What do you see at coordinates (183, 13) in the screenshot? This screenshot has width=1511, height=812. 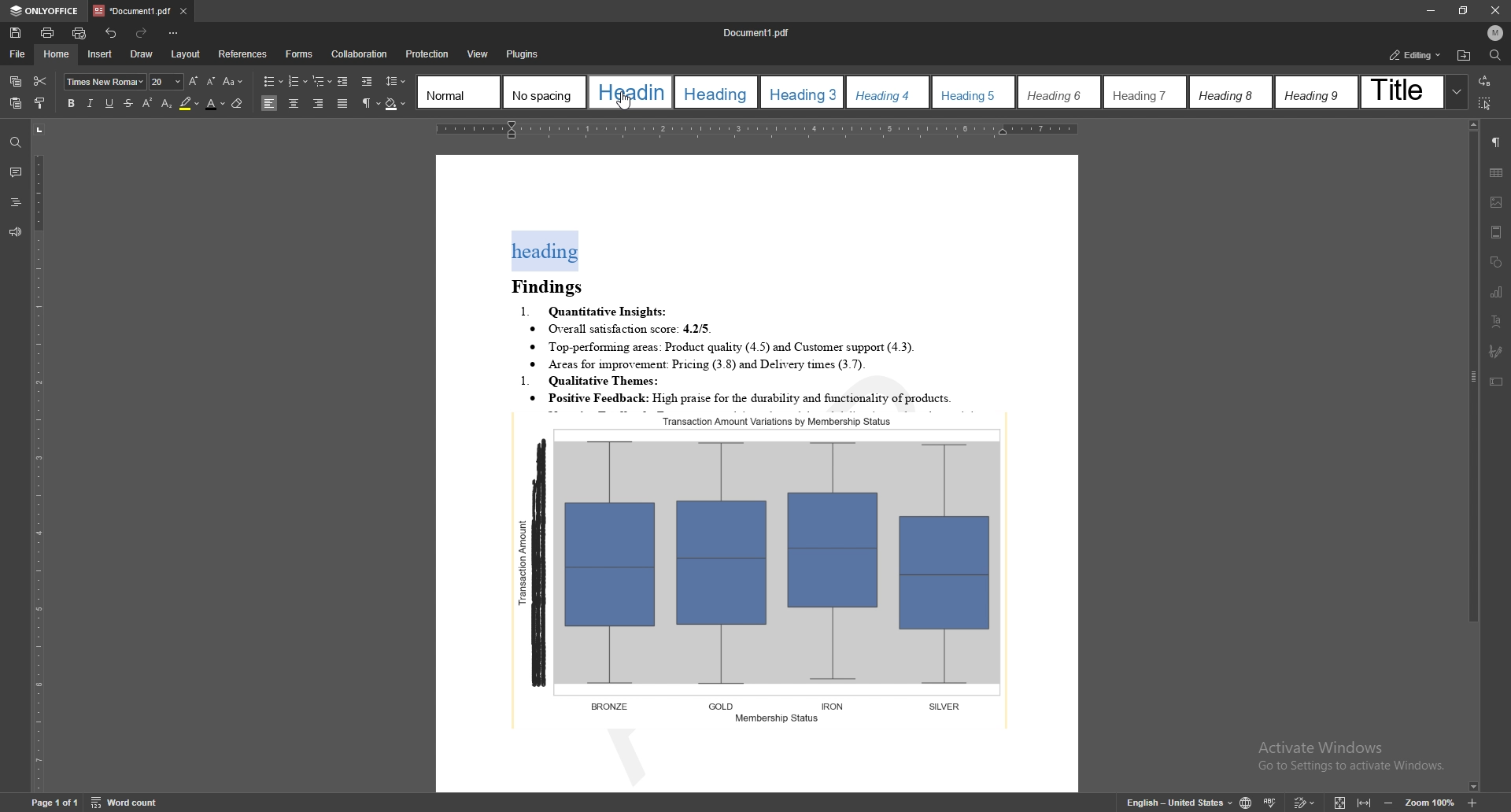 I see `close tab` at bounding box center [183, 13].